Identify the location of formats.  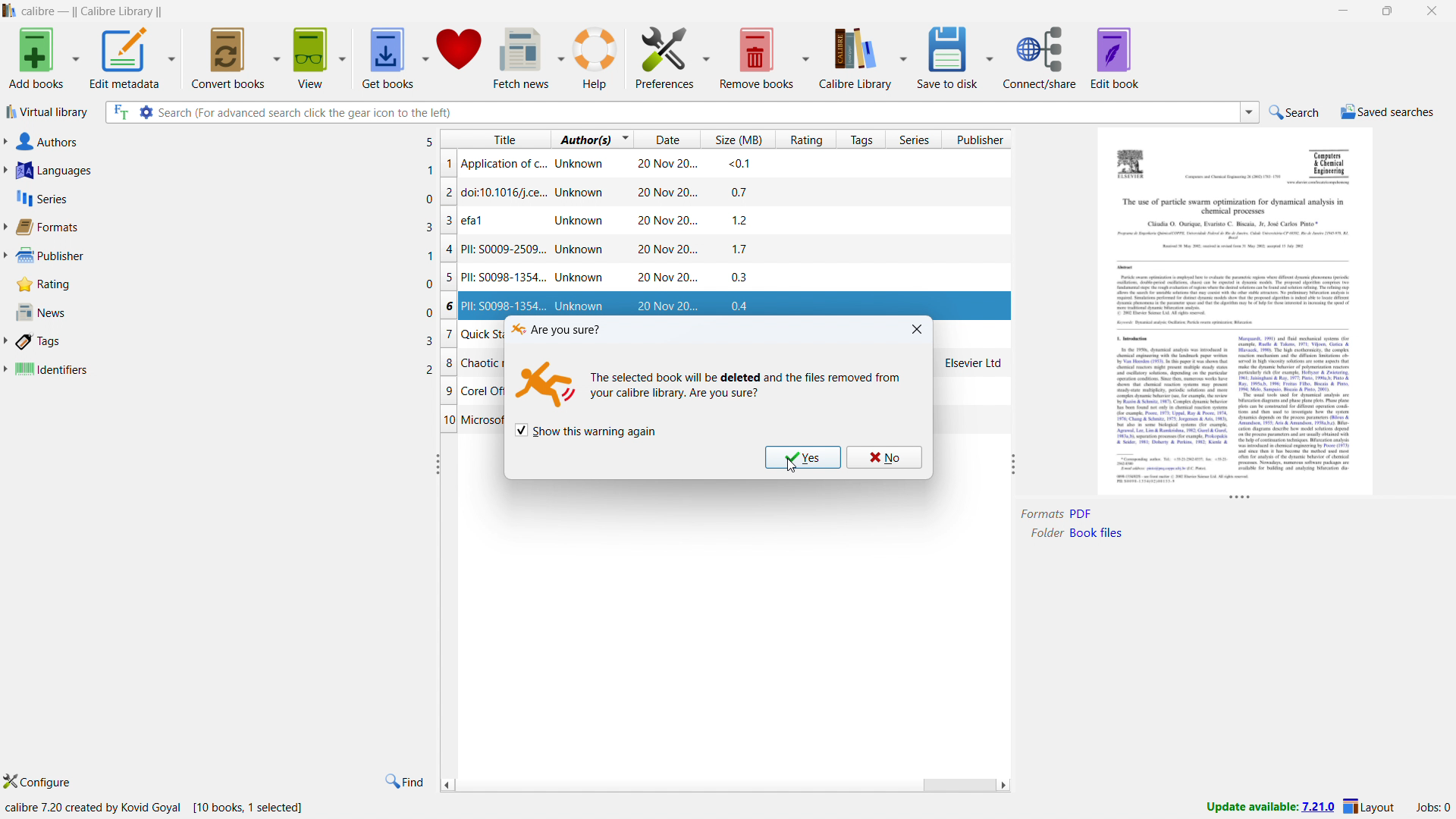
(219, 226).